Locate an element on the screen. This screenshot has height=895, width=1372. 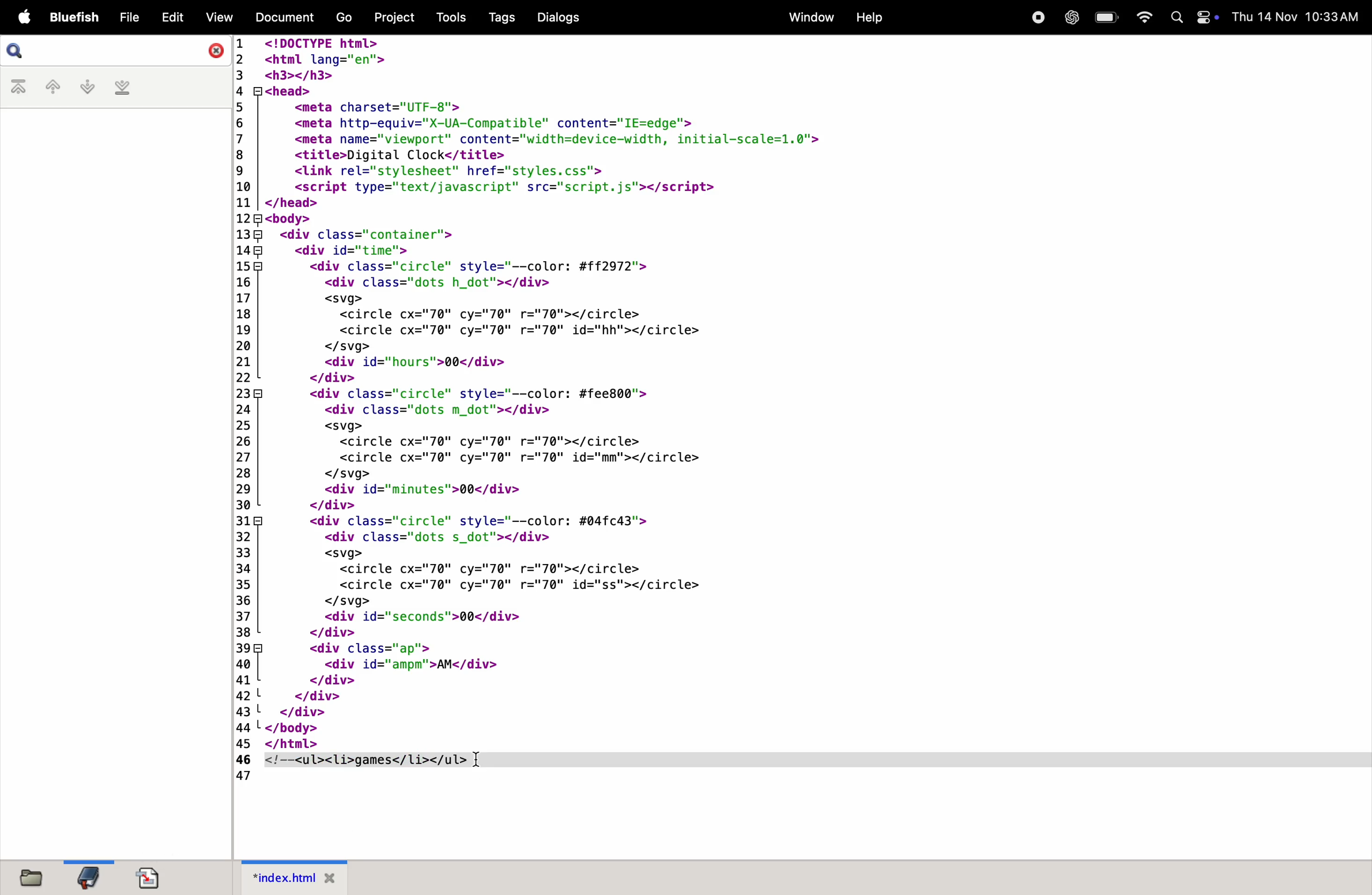
Tags is located at coordinates (499, 18).